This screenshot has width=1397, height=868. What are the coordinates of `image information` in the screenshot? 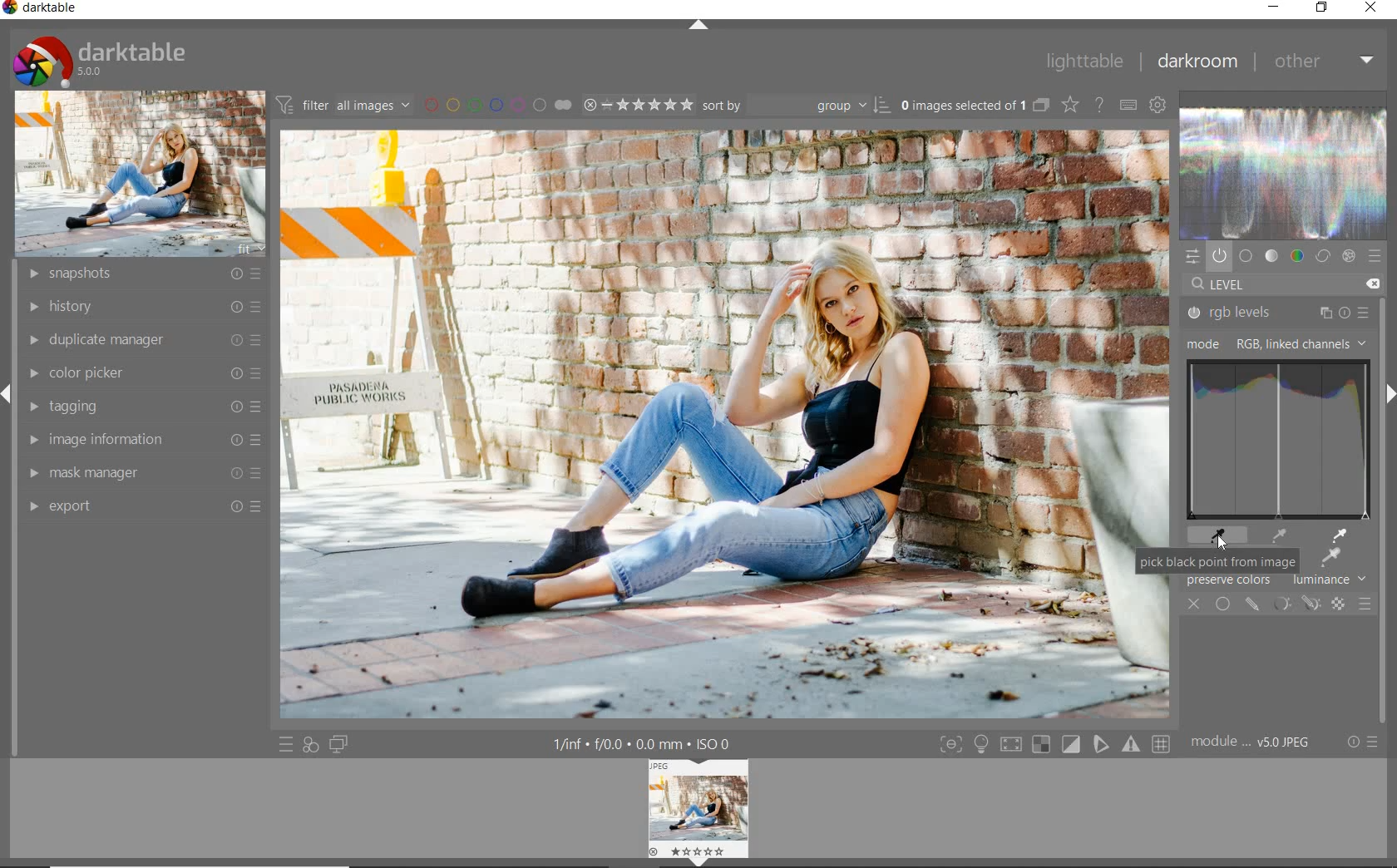 It's located at (141, 441).